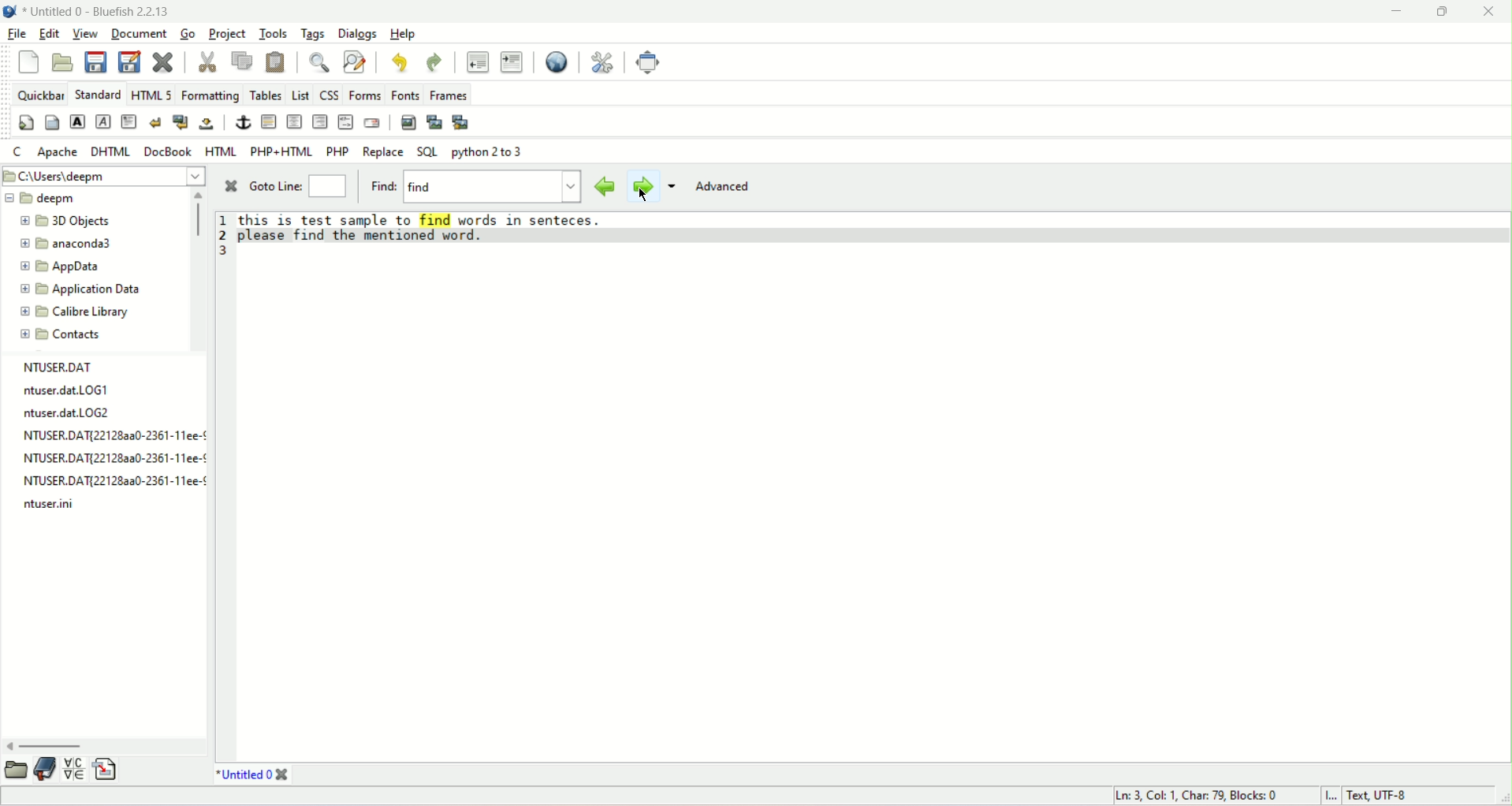 Image resolution: width=1512 pixels, height=806 pixels. Describe the element at coordinates (557, 62) in the screenshot. I see `preview in browser` at that location.